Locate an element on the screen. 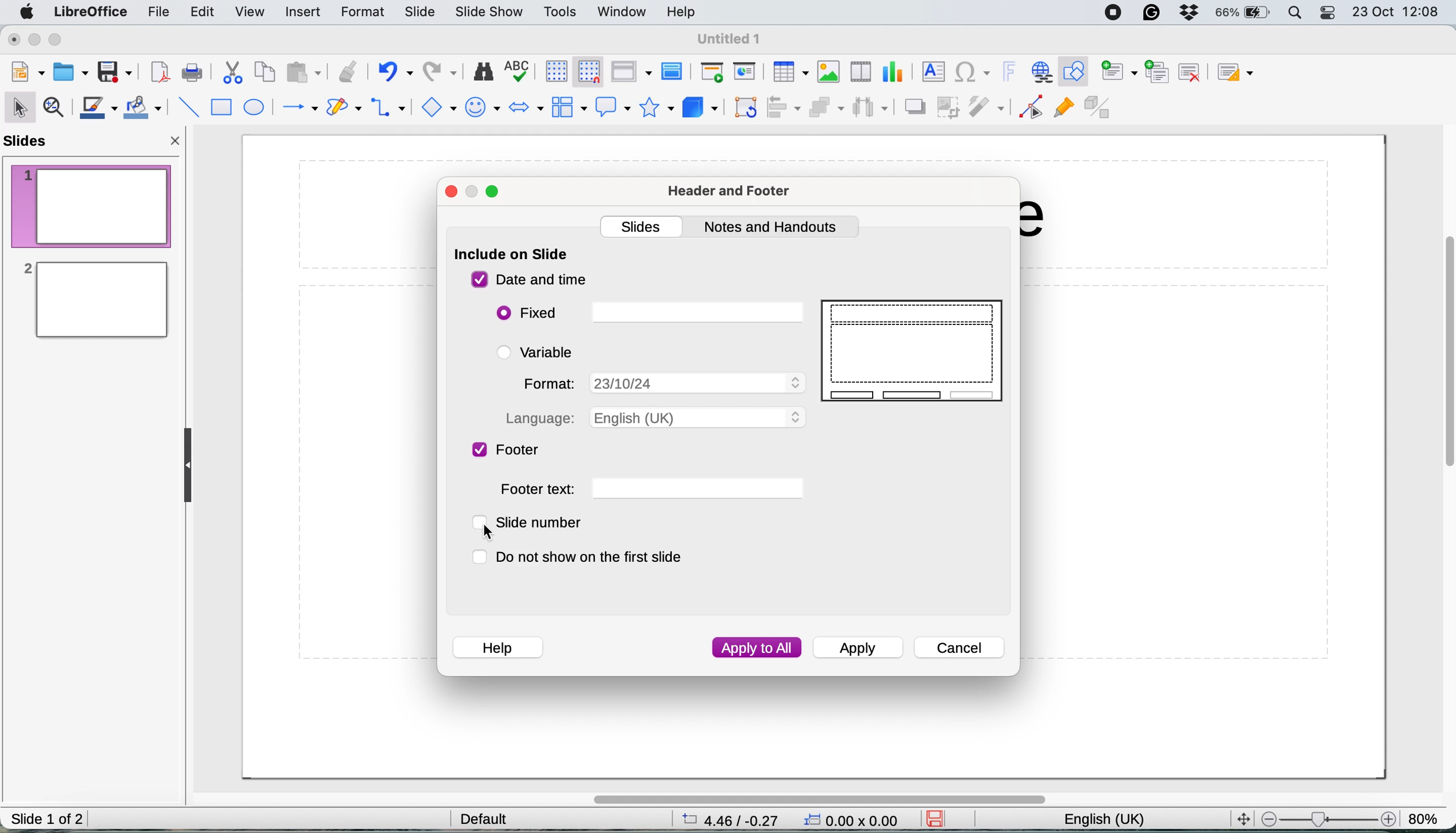 The height and width of the screenshot is (833, 1456). save is located at coordinates (115, 72).